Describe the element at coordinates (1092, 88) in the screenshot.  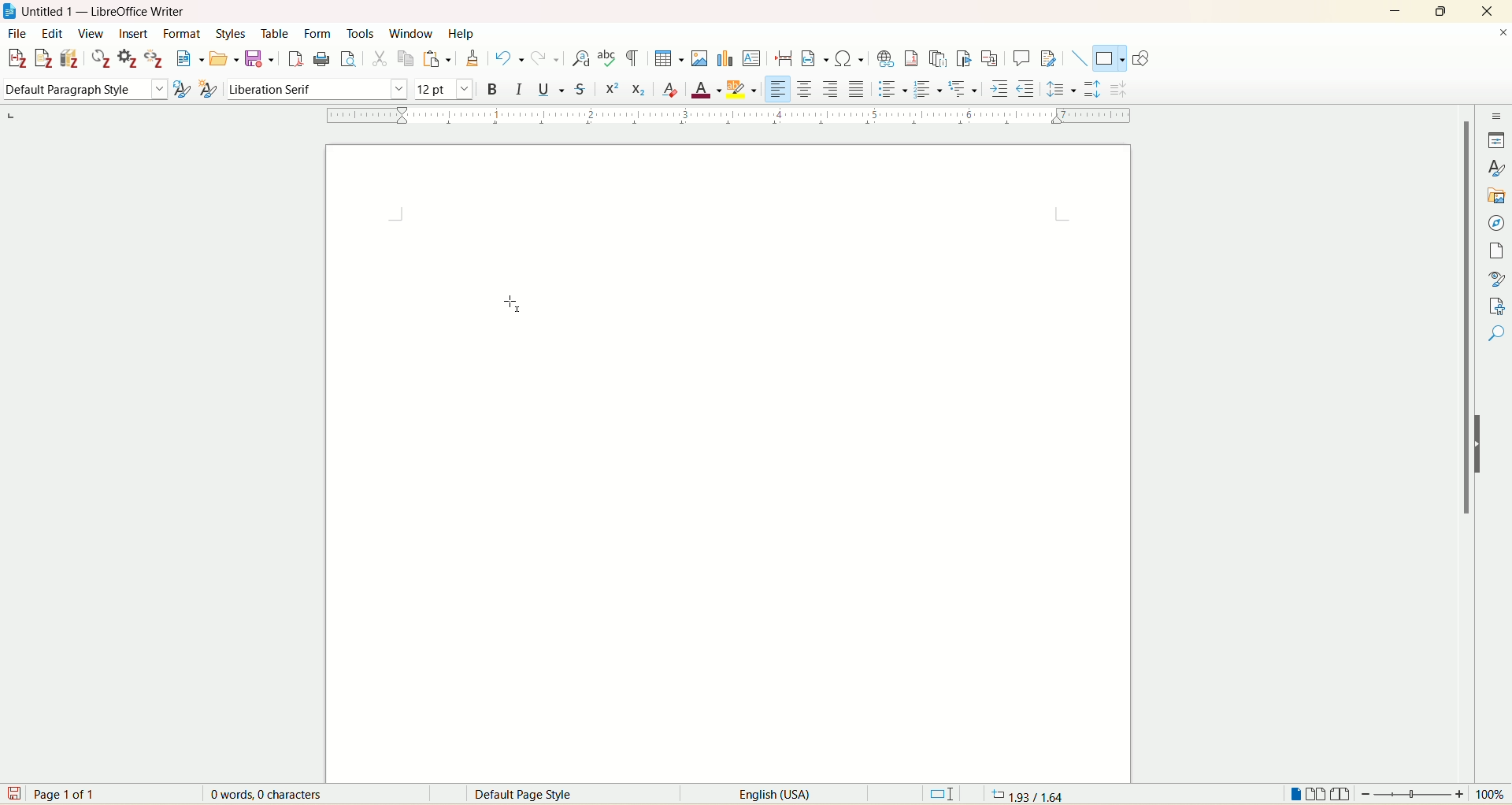
I see `increase paragraph spacing` at that location.